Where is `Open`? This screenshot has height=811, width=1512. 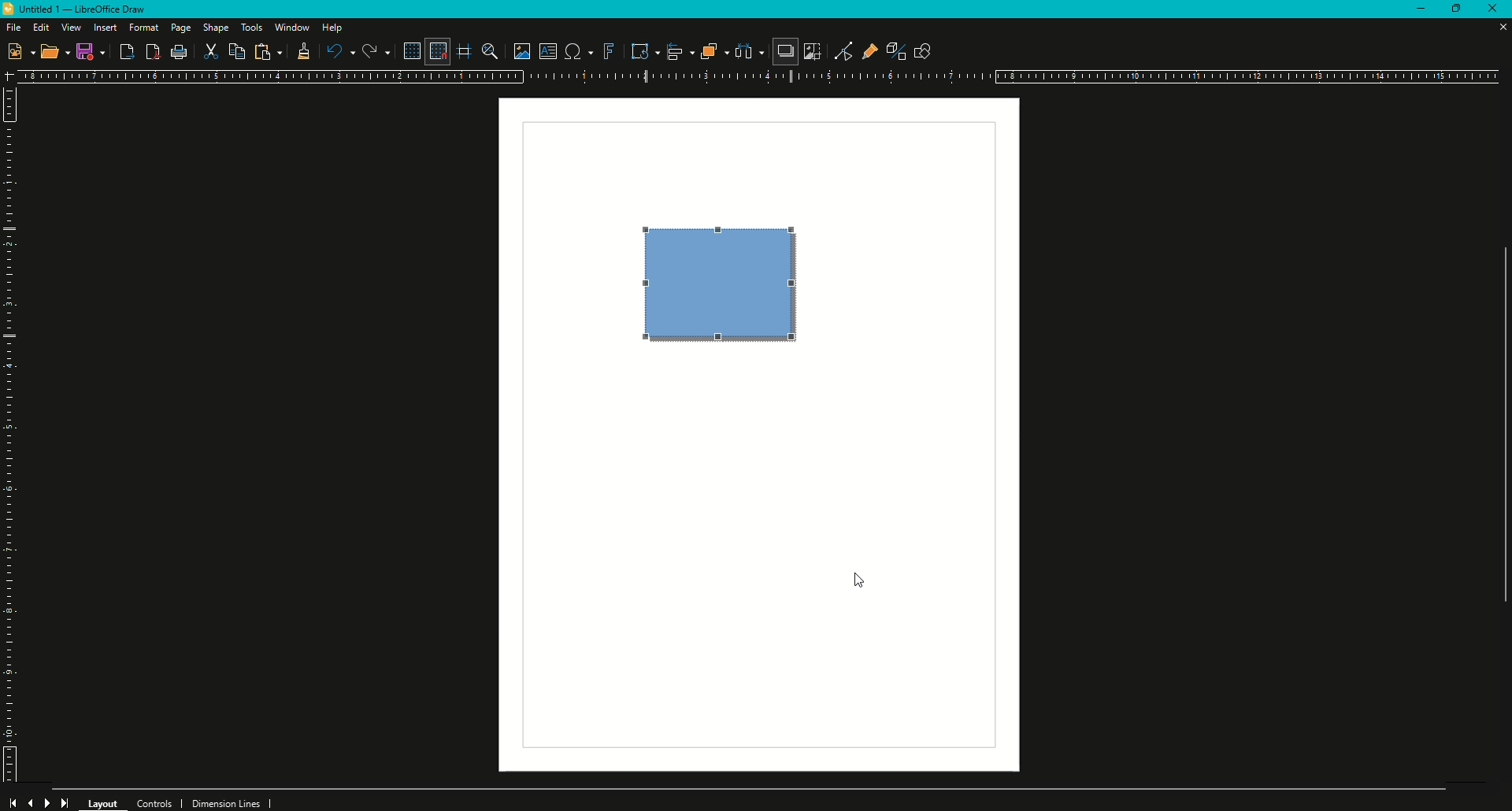 Open is located at coordinates (55, 54).